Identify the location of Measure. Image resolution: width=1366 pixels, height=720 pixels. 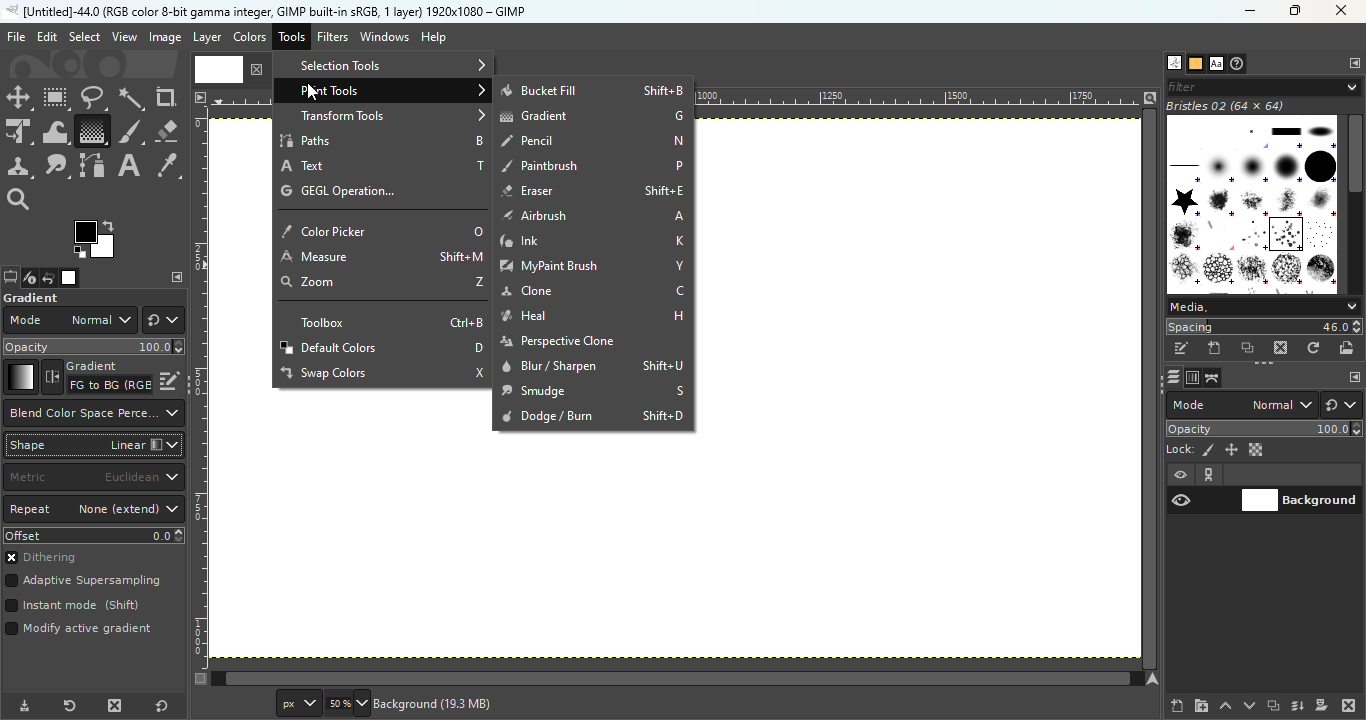
(380, 257).